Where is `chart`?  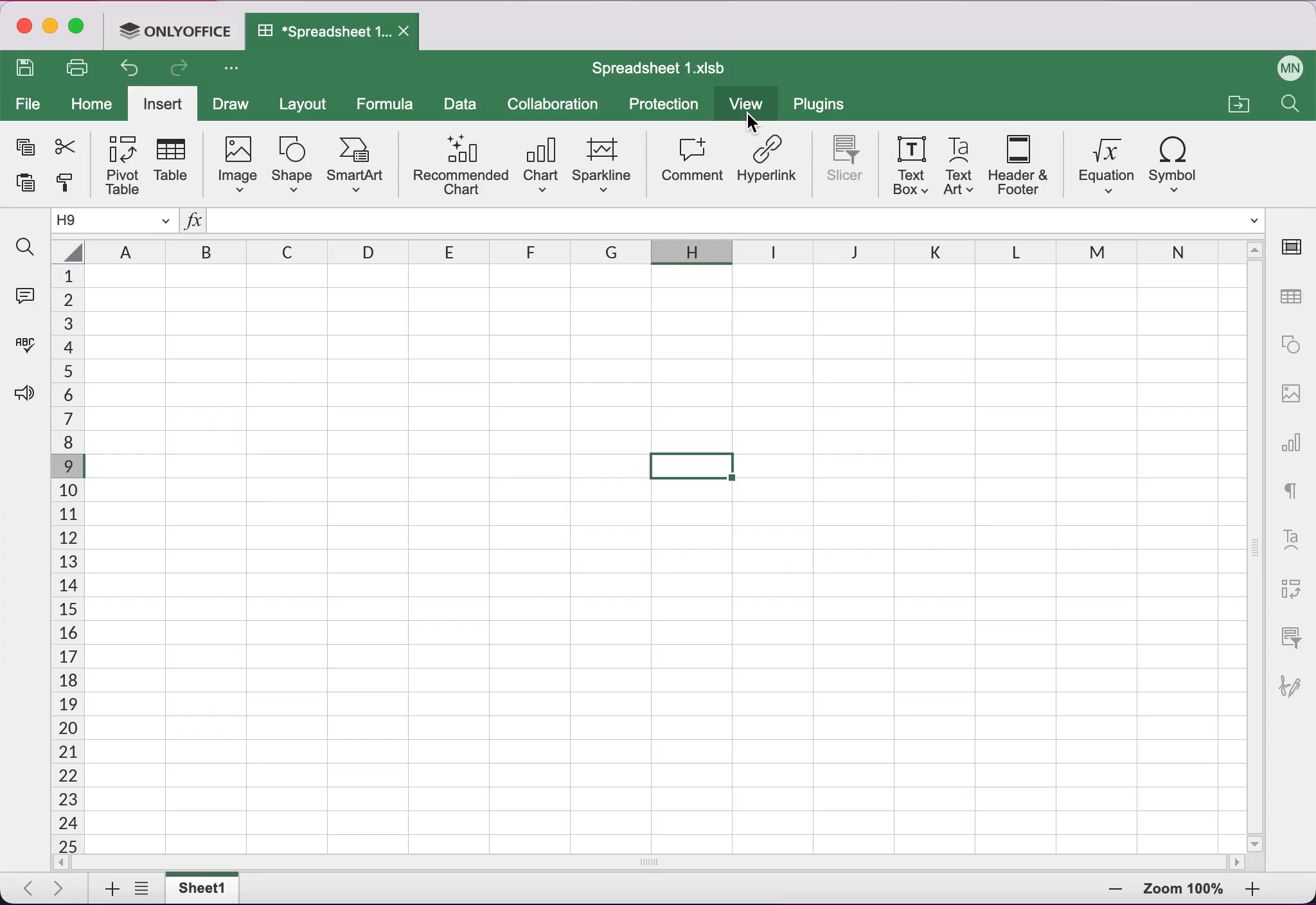 chart is located at coordinates (1292, 447).